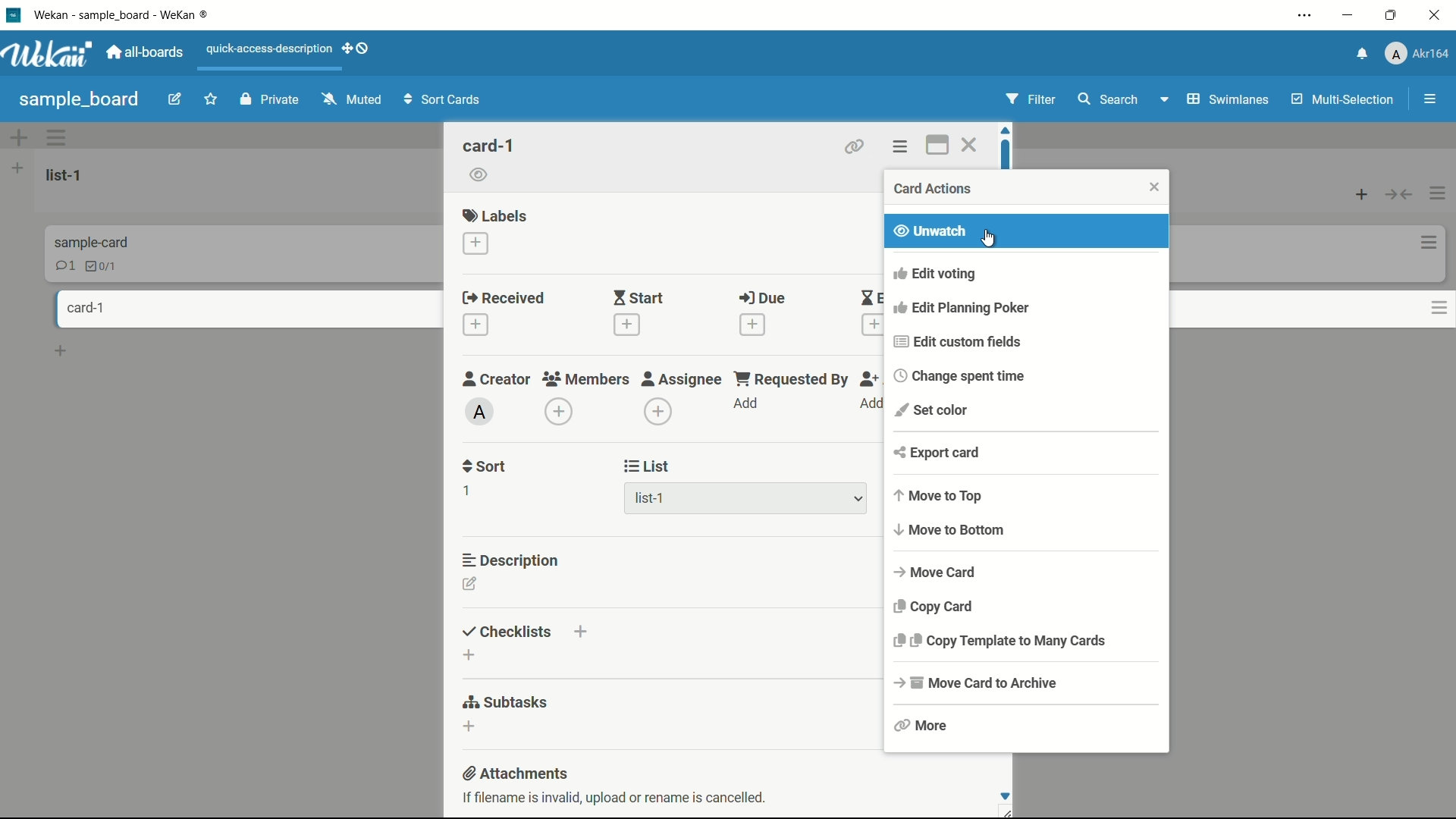 The image size is (1456, 819). What do you see at coordinates (1435, 17) in the screenshot?
I see `close app` at bounding box center [1435, 17].